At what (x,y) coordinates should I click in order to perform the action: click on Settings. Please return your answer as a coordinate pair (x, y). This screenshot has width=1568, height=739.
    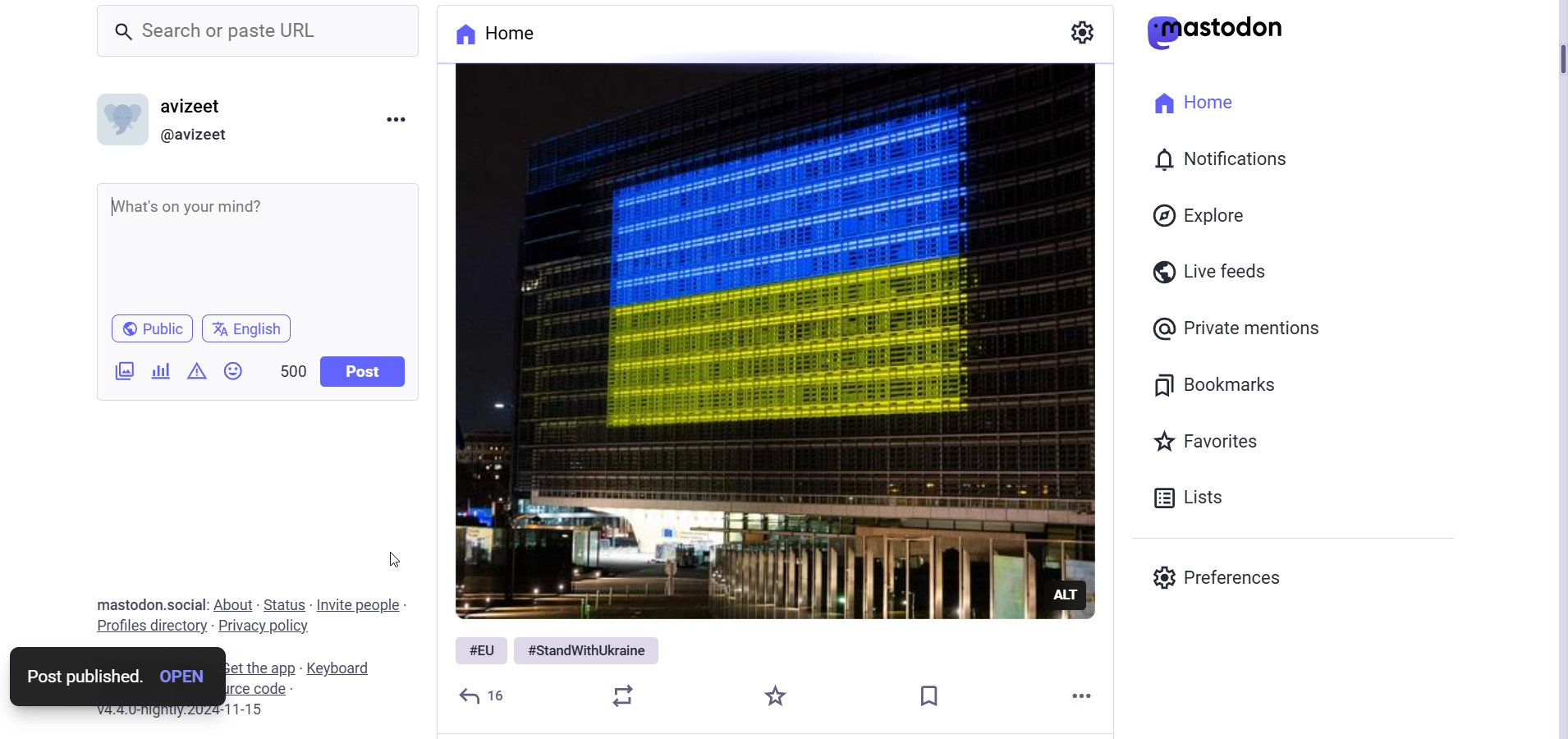
    Looking at the image, I should click on (1084, 32).